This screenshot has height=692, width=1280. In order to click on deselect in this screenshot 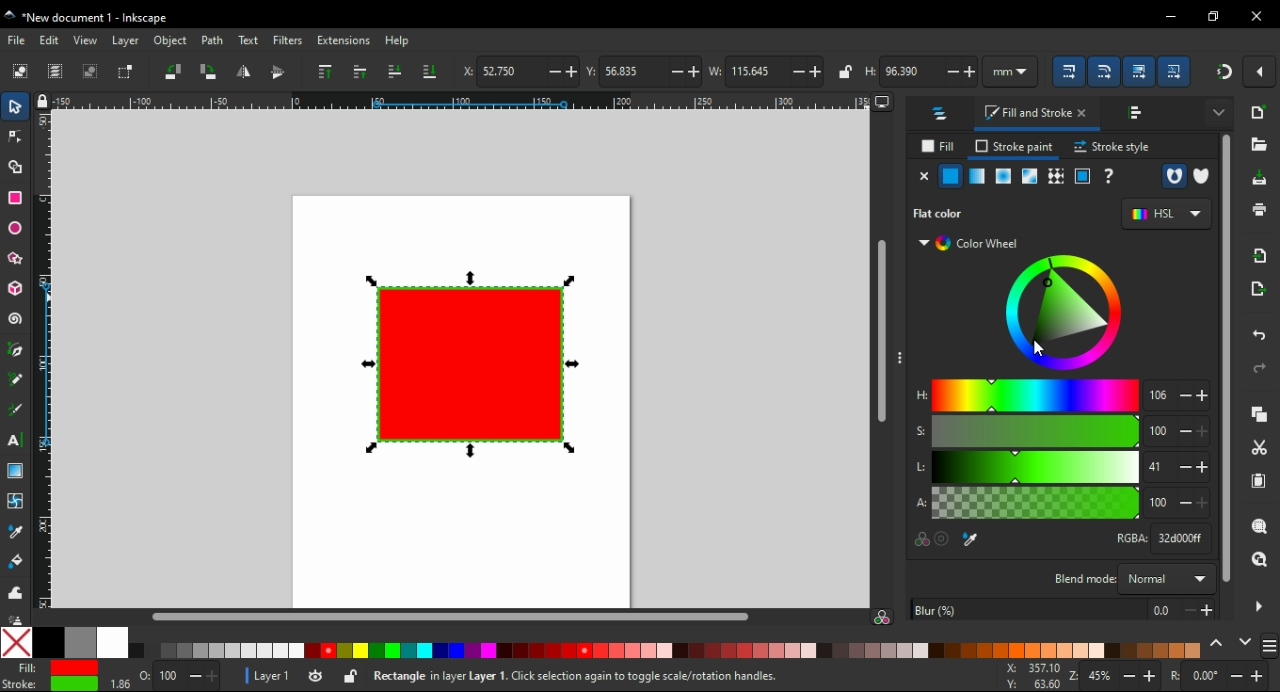, I will do `click(90, 71)`.